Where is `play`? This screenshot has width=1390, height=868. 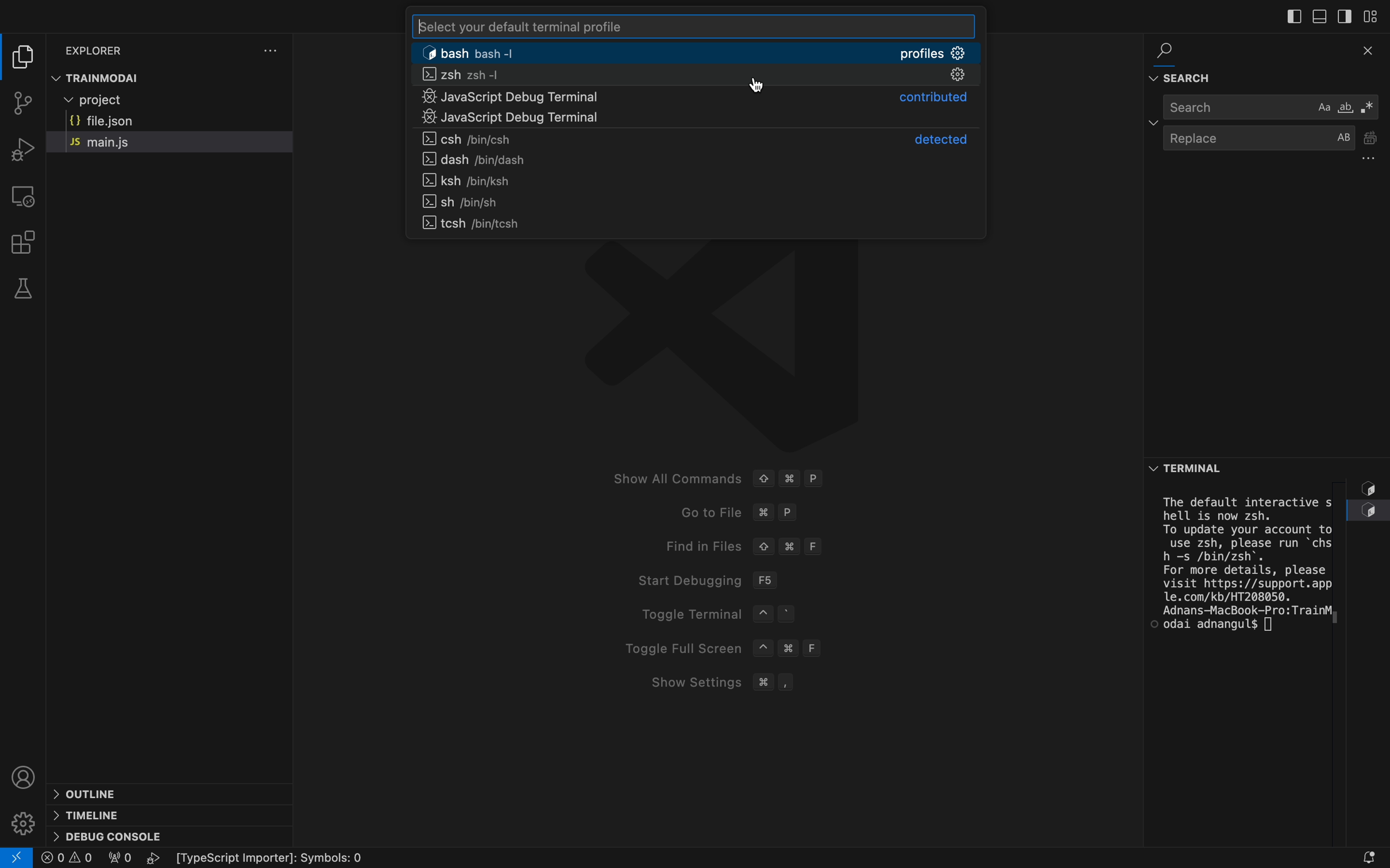 play is located at coordinates (156, 858).